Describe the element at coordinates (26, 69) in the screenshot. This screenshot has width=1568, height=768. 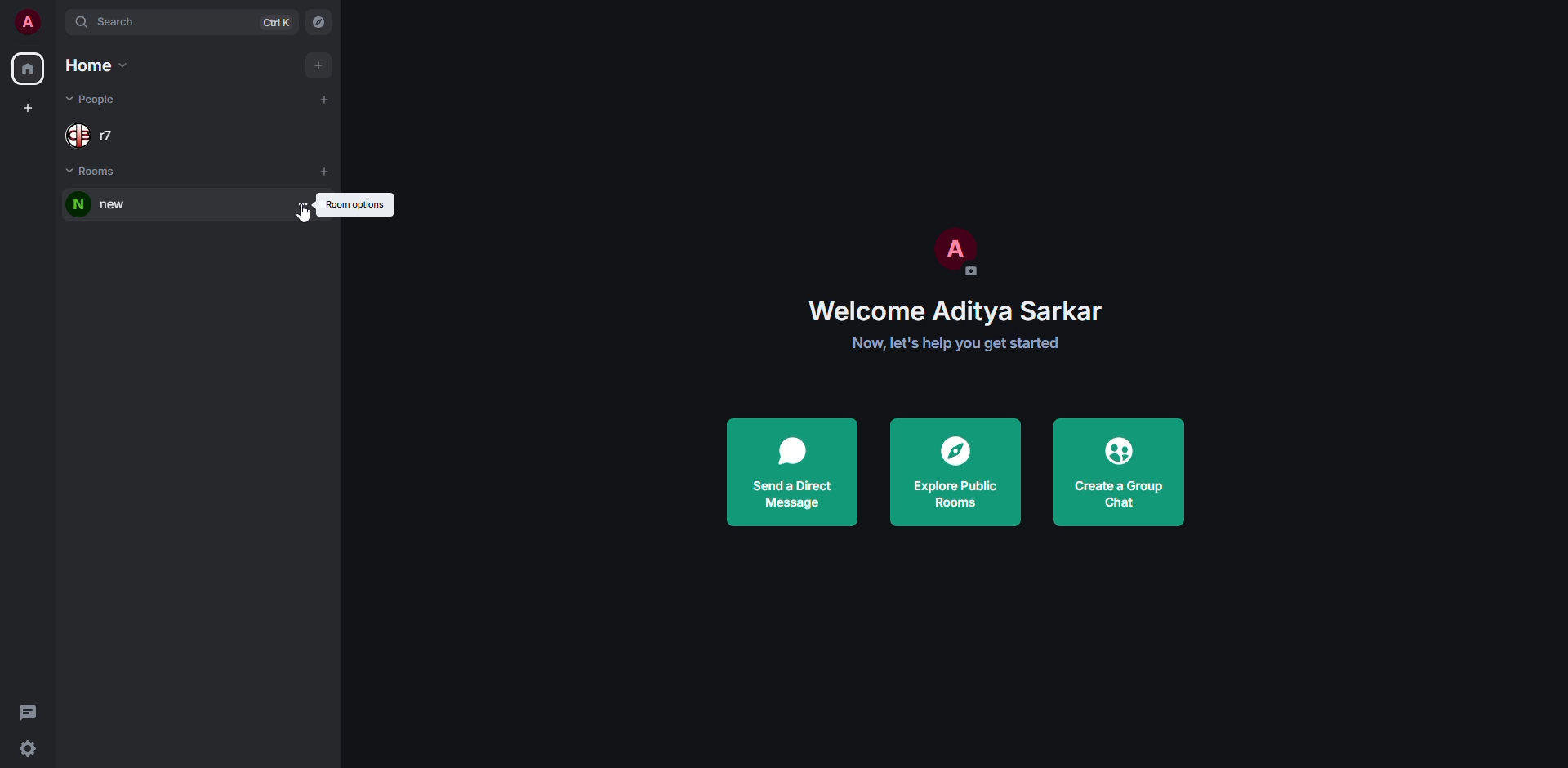
I see `home` at that location.